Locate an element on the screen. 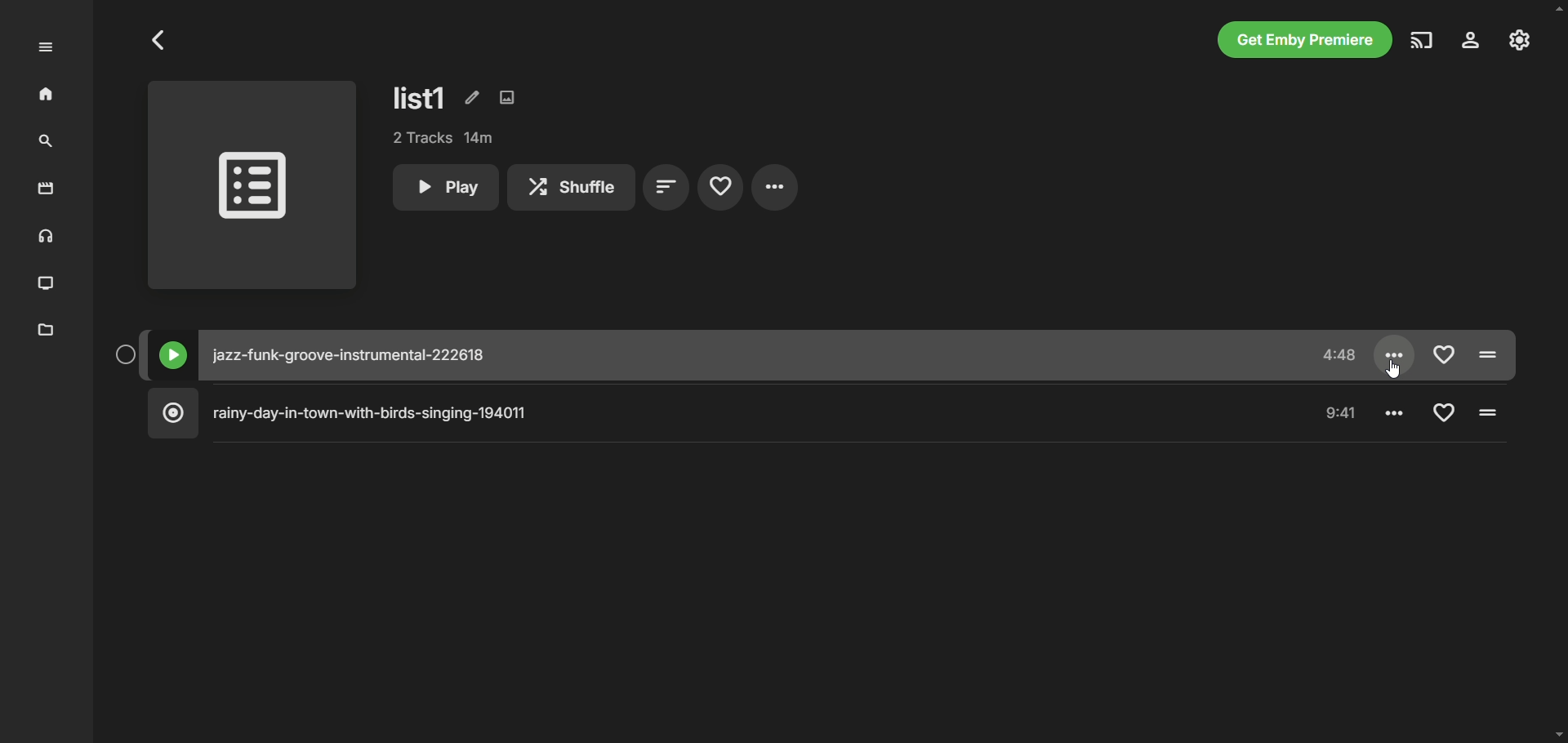 Image resolution: width=1568 pixels, height=743 pixels. manage emby server is located at coordinates (1520, 40).